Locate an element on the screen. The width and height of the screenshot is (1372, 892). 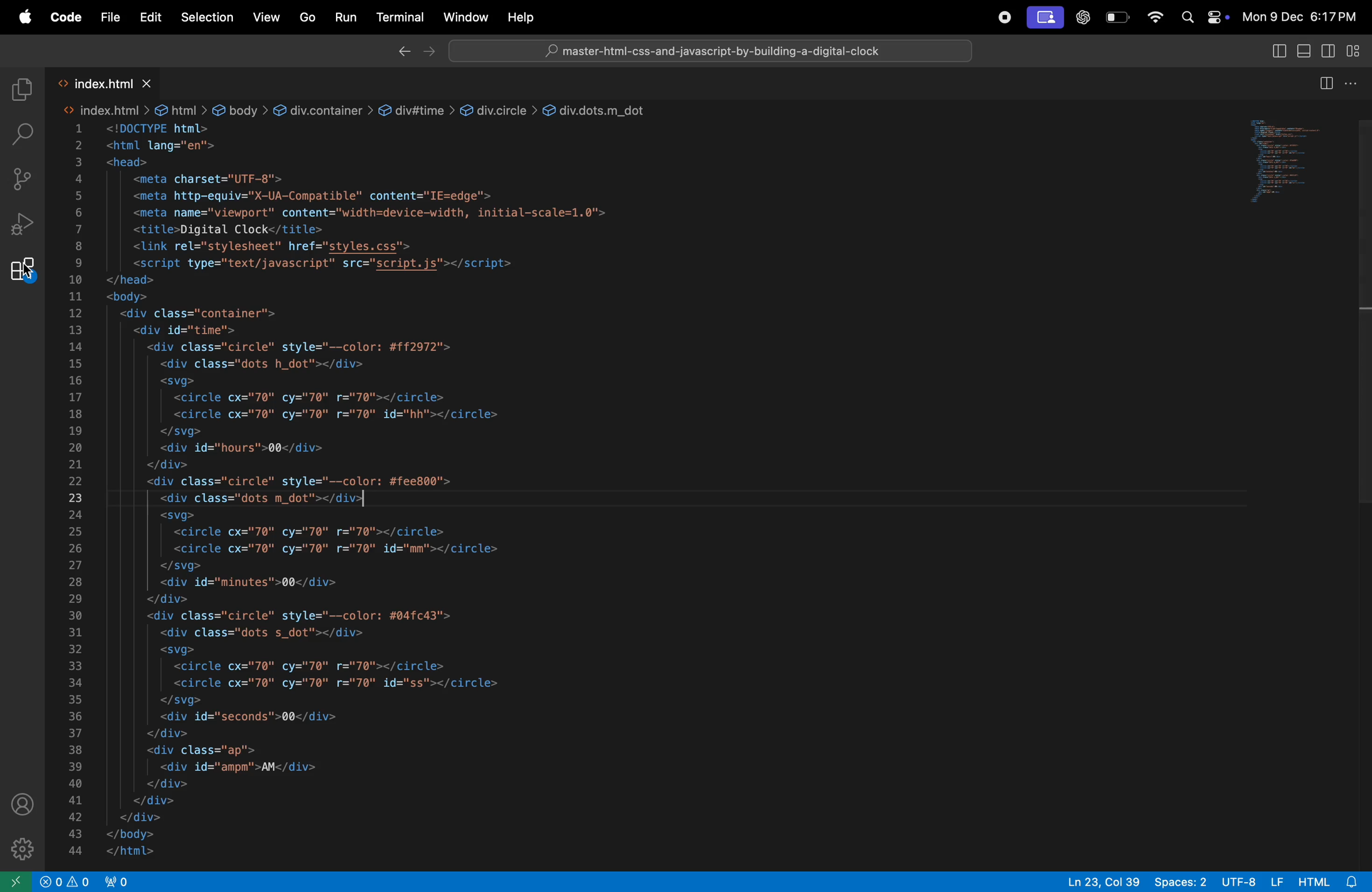
file is located at coordinates (108, 14).